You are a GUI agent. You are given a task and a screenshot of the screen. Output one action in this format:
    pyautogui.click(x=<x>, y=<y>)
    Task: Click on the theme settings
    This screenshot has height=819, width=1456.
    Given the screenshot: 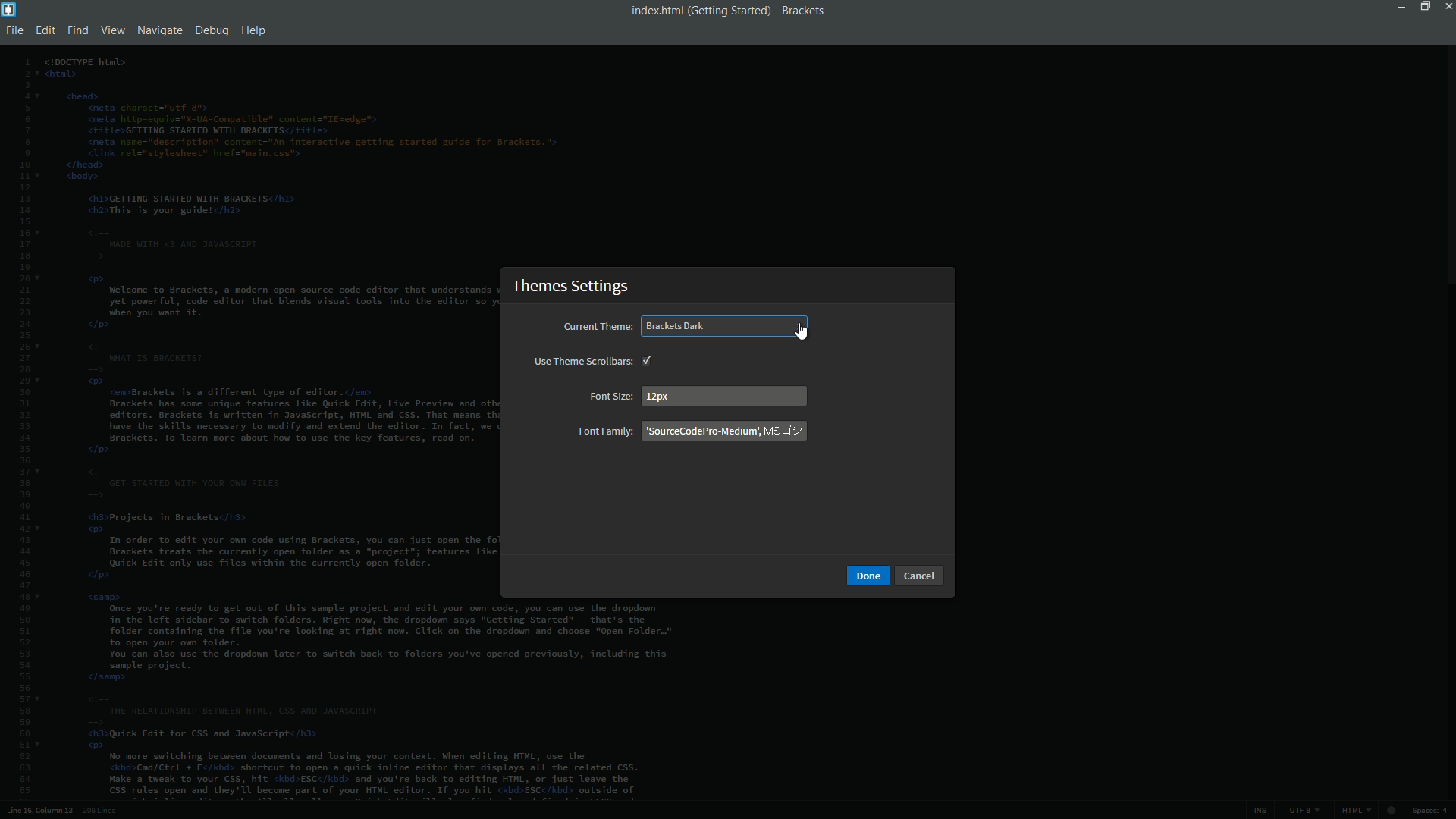 What is the action you would take?
    pyautogui.click(x=568, y=287)
    